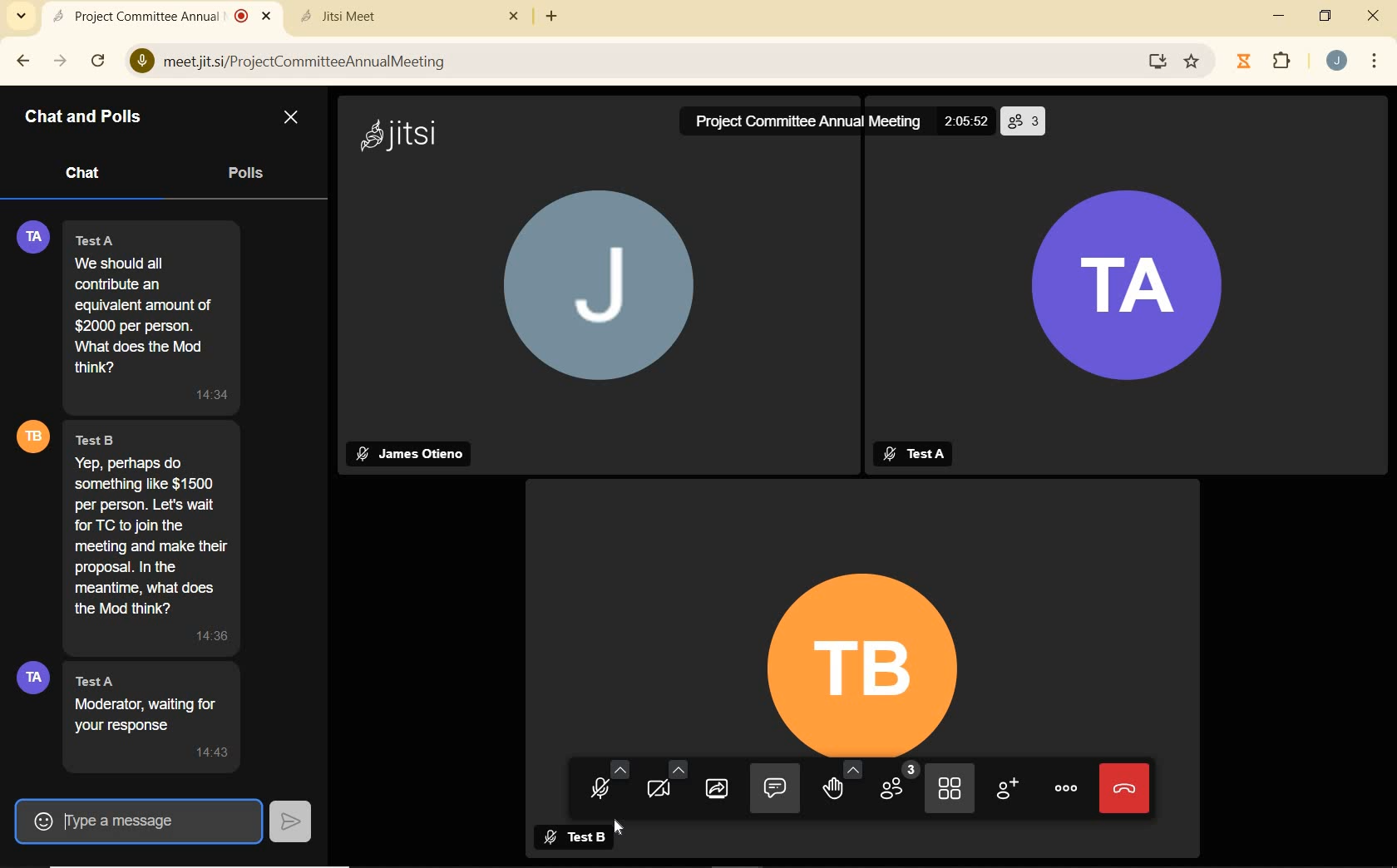 Image resolution: width=1397 pixels, height=868 pixels. What do you see at coordinates (901, 790) in the screenshot?
I see `participants (3)` at bounding box center [901, 790].